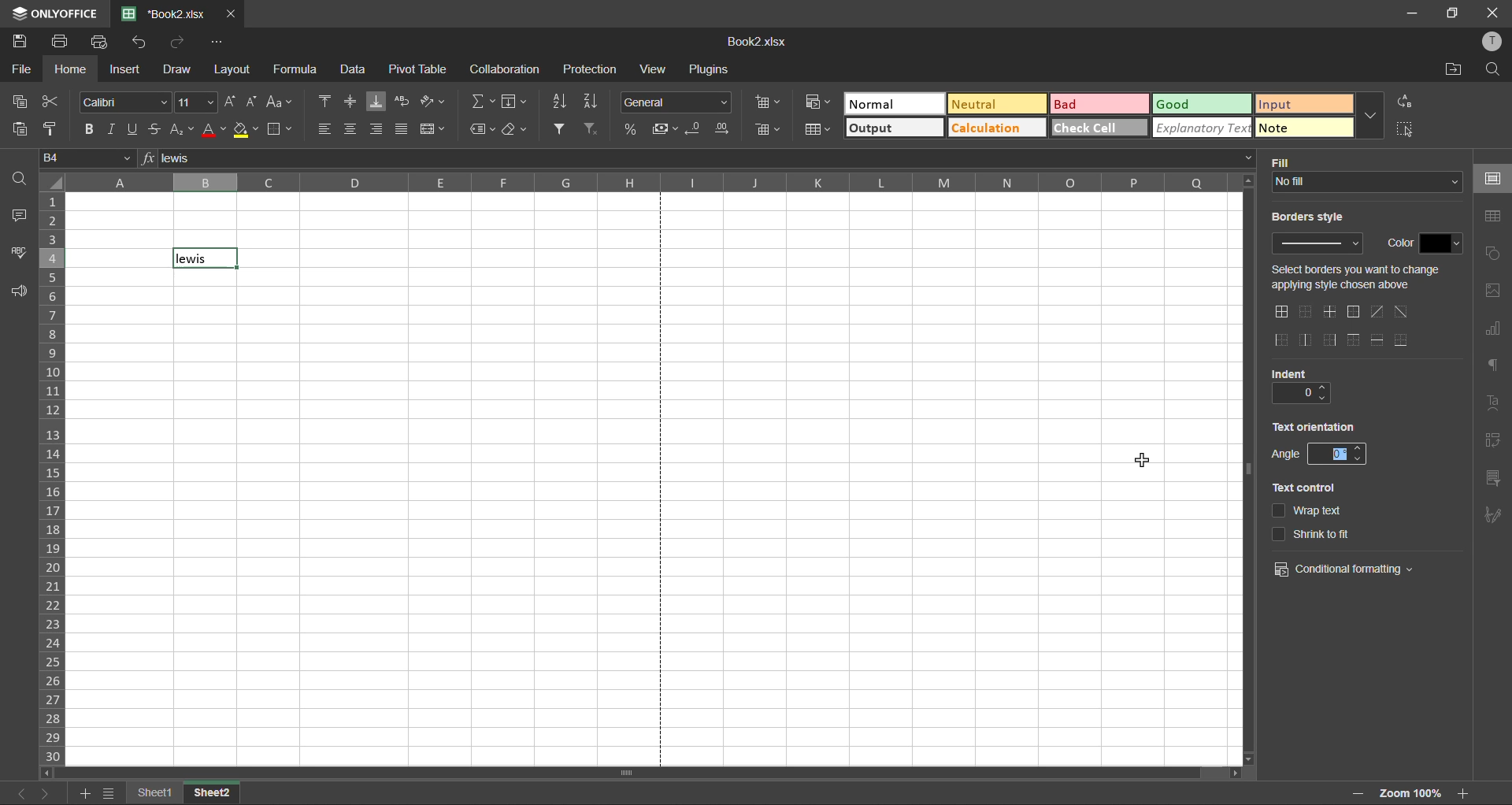 Image resolution: width=1512 pixels, height=805 pixels. I want to click on protection, so click(590, 69).